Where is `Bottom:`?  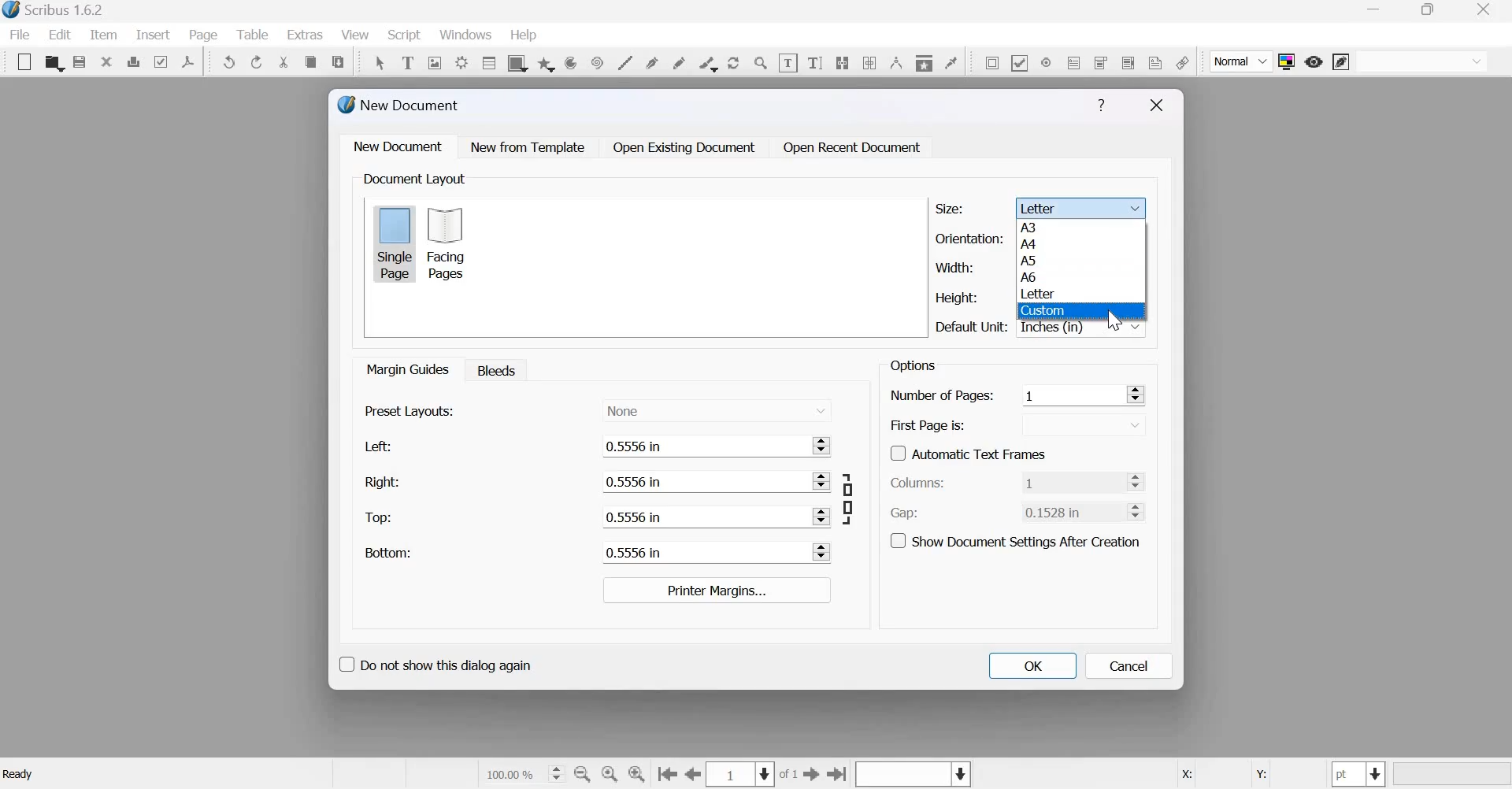 Bottom: is located at coordinates (387, 552).